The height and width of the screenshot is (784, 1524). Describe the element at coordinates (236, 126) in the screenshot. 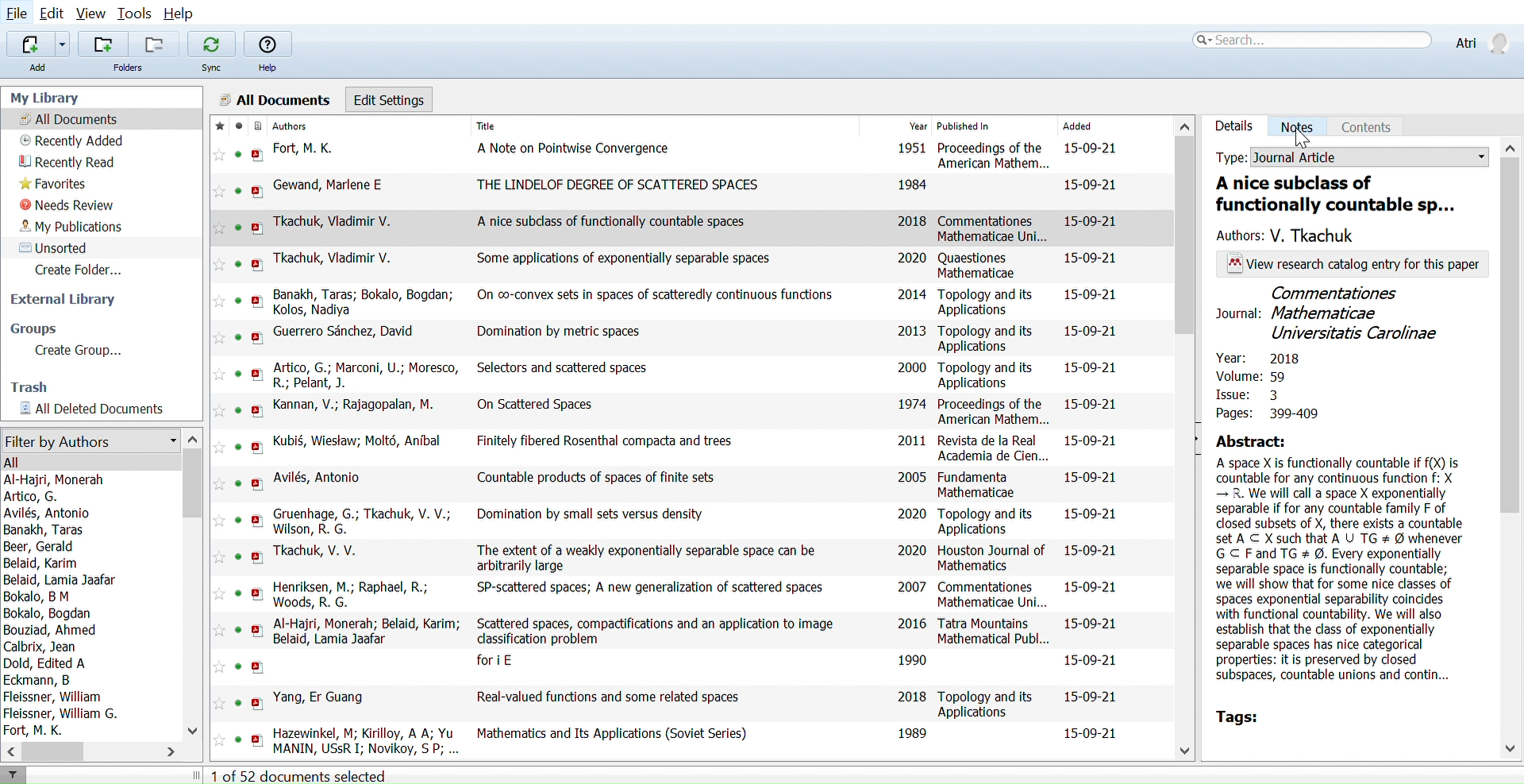

I see `mark as read/ unread` at that location.